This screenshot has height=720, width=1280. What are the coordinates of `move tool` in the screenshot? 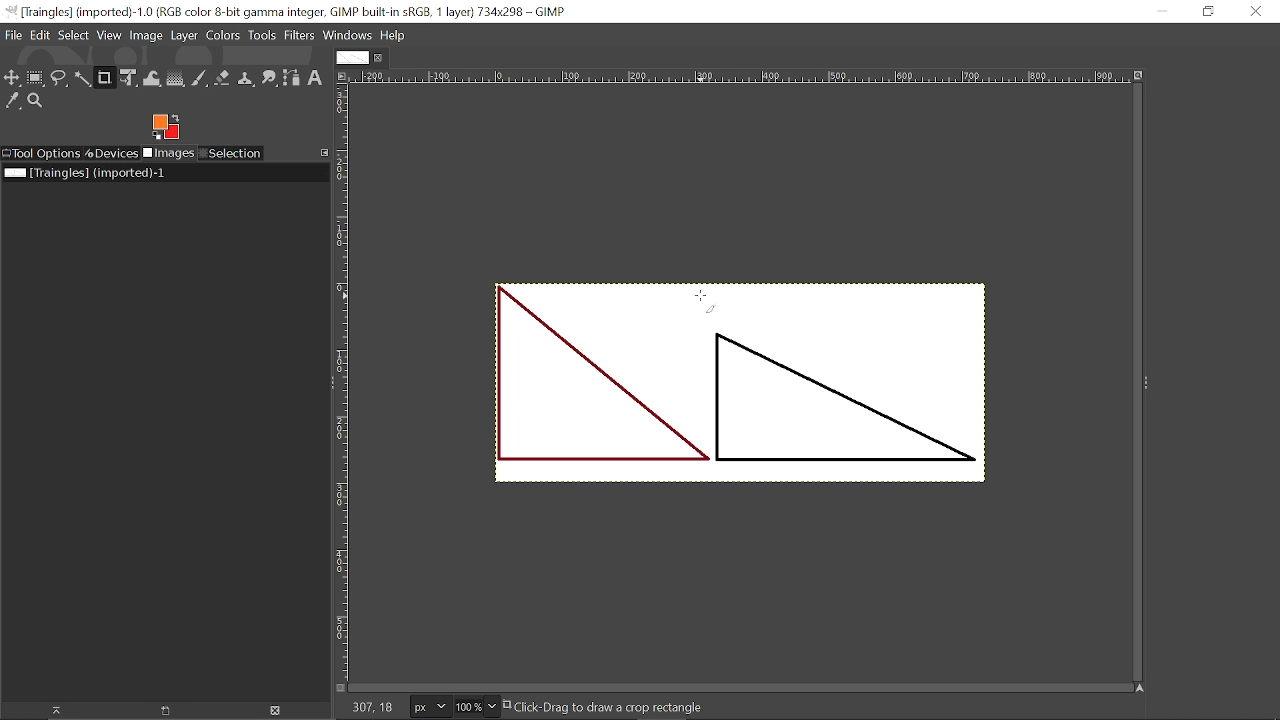 It's located at (13, 78).